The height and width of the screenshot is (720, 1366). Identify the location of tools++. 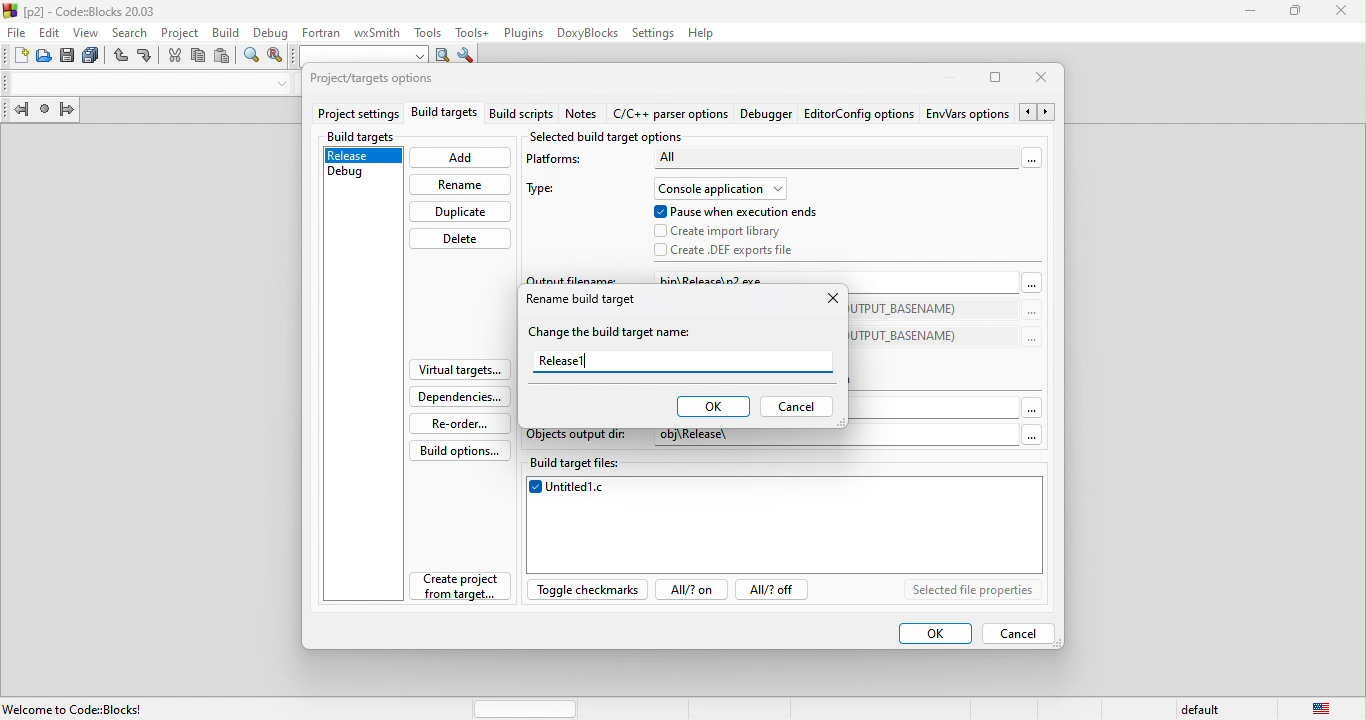
(473, 32).